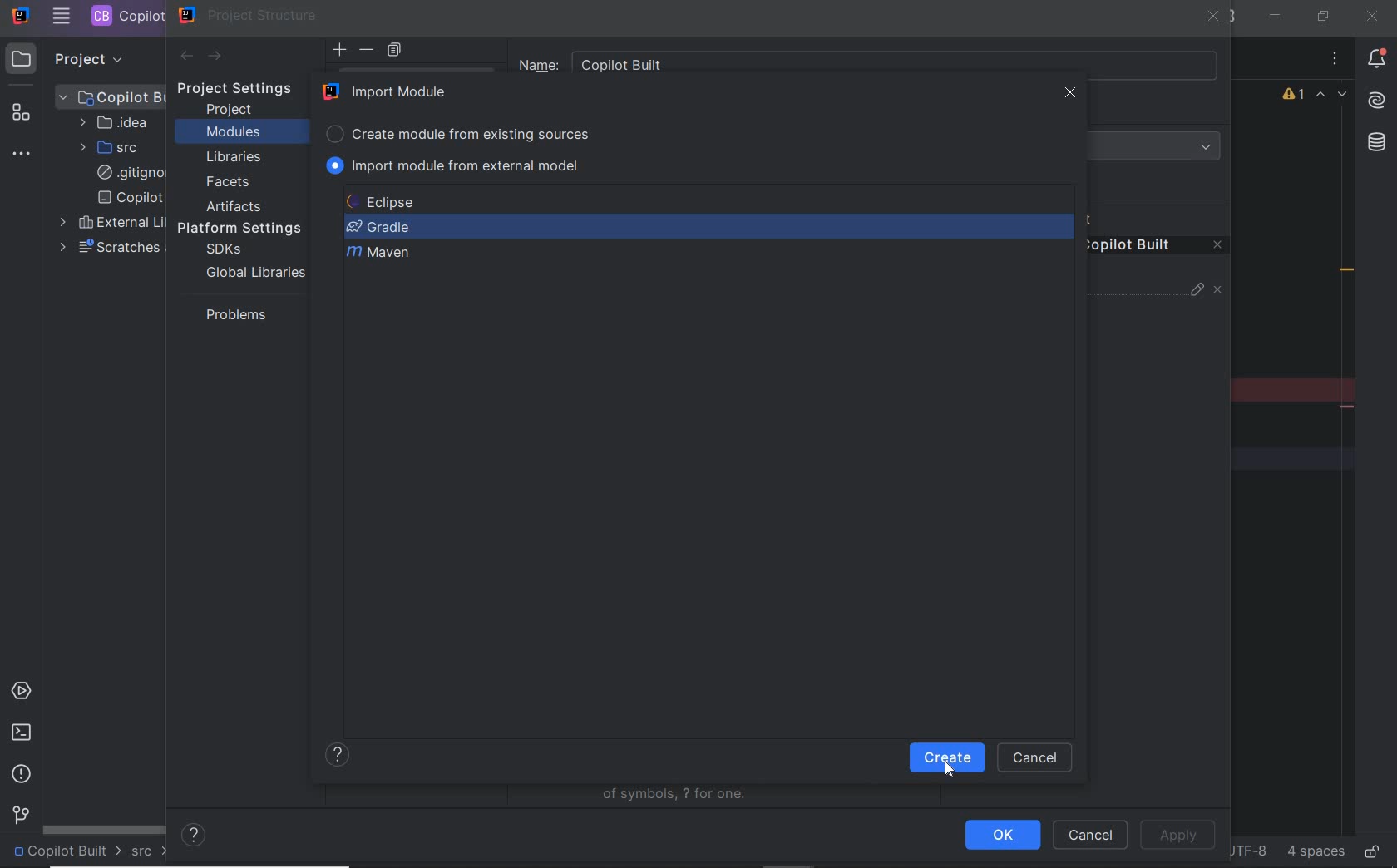  I want to click on scrollbar, so click(105, 828).